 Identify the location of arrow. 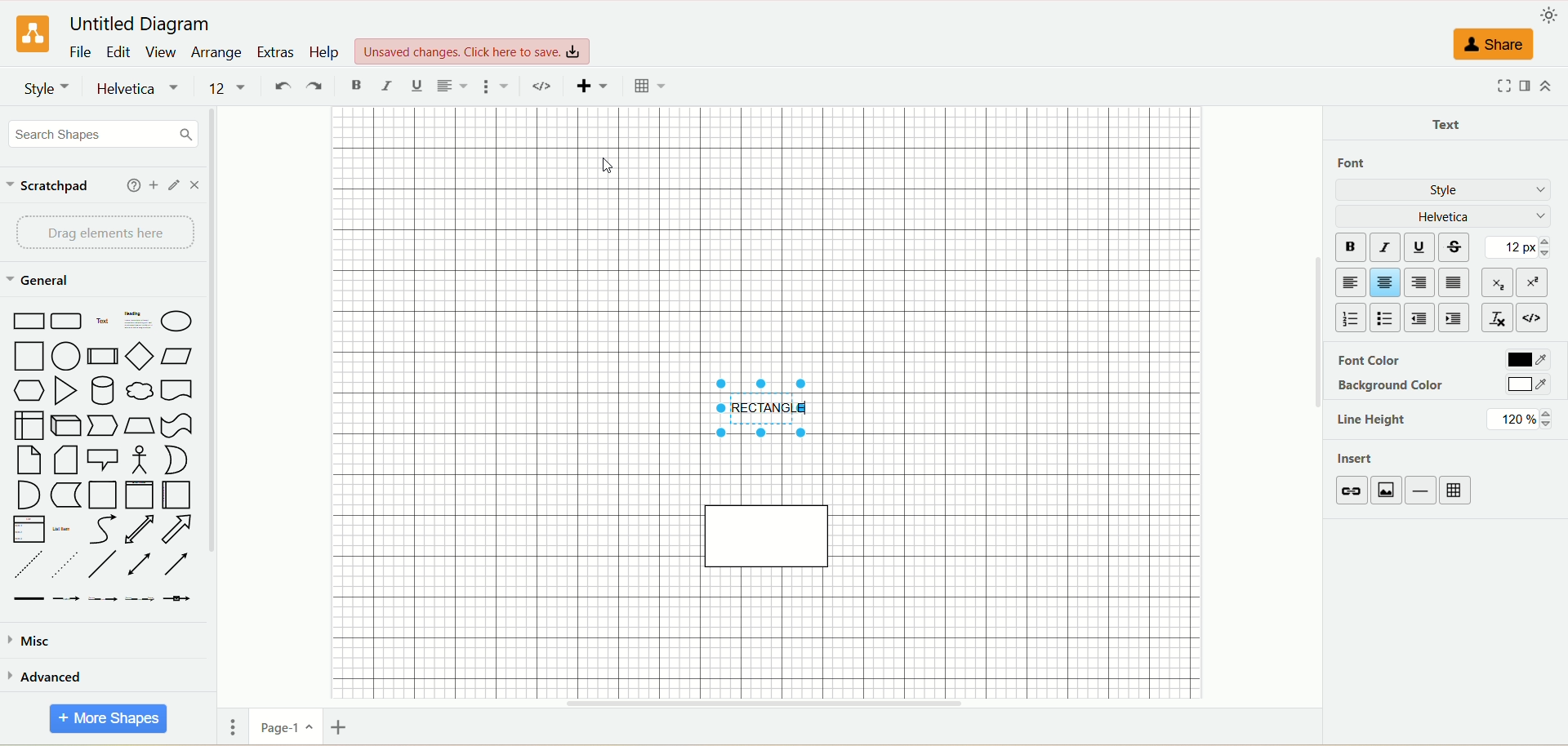
(178, 530).